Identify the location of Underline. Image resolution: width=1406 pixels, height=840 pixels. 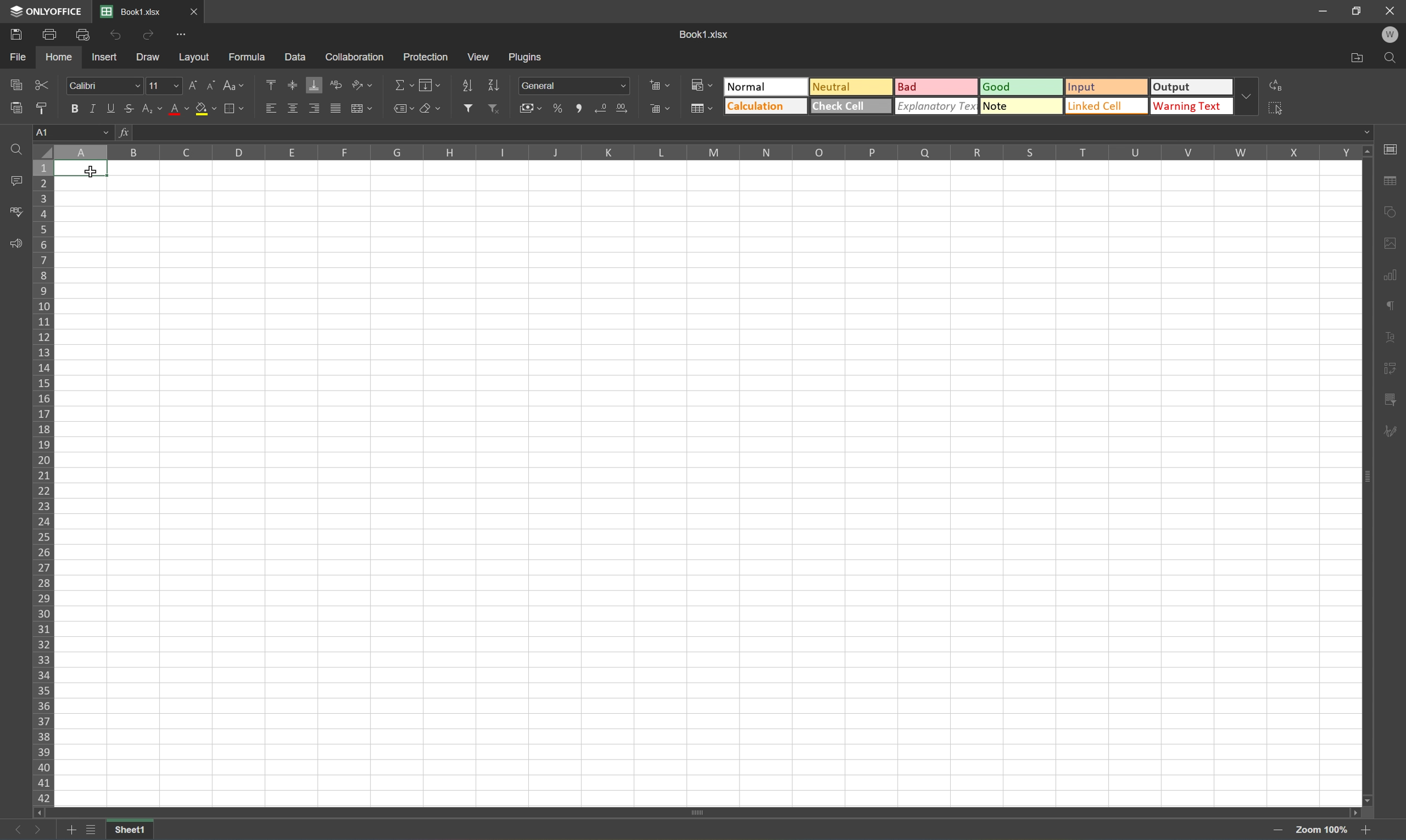
(113, 109).